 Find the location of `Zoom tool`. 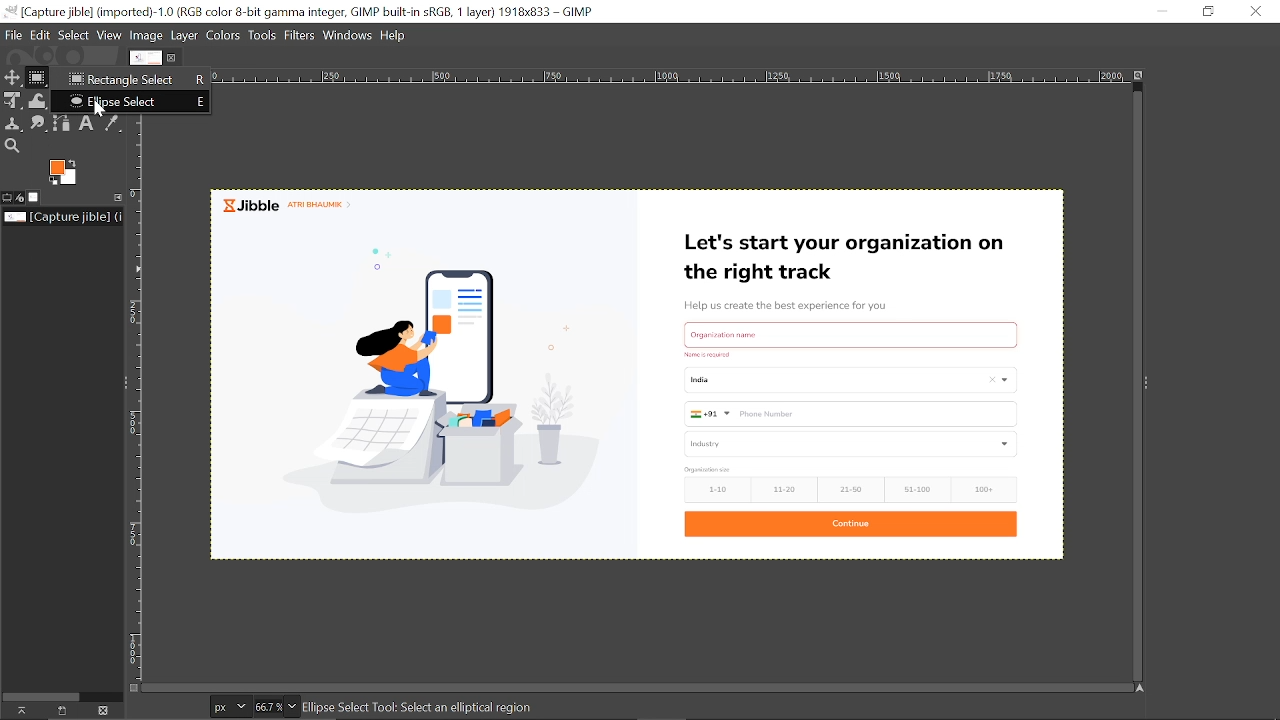

Zoom tool is located at coordinates (11, 145).